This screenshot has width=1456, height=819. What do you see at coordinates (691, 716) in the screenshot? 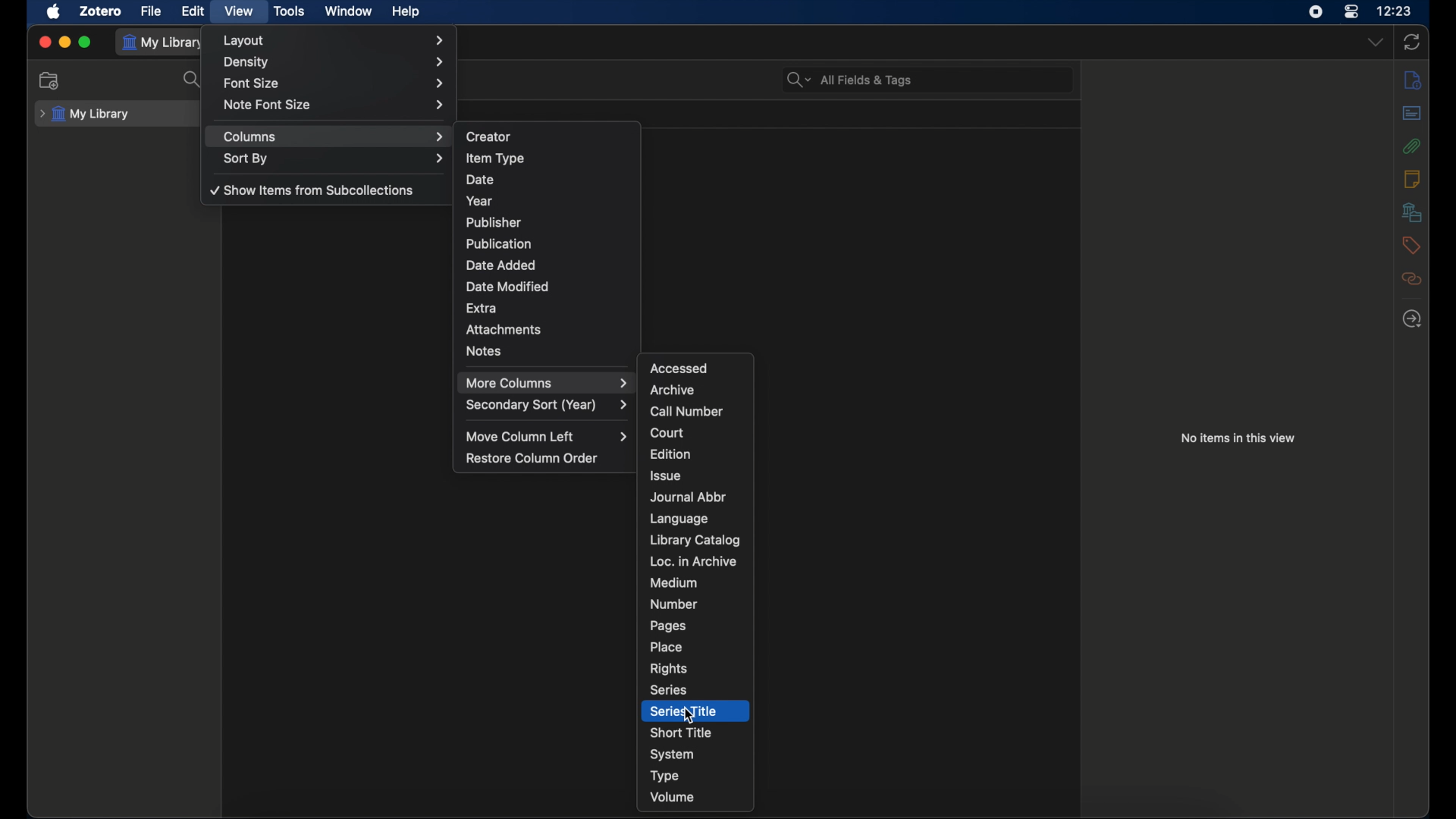
I see `cursor` at bounding box center [691, 716].